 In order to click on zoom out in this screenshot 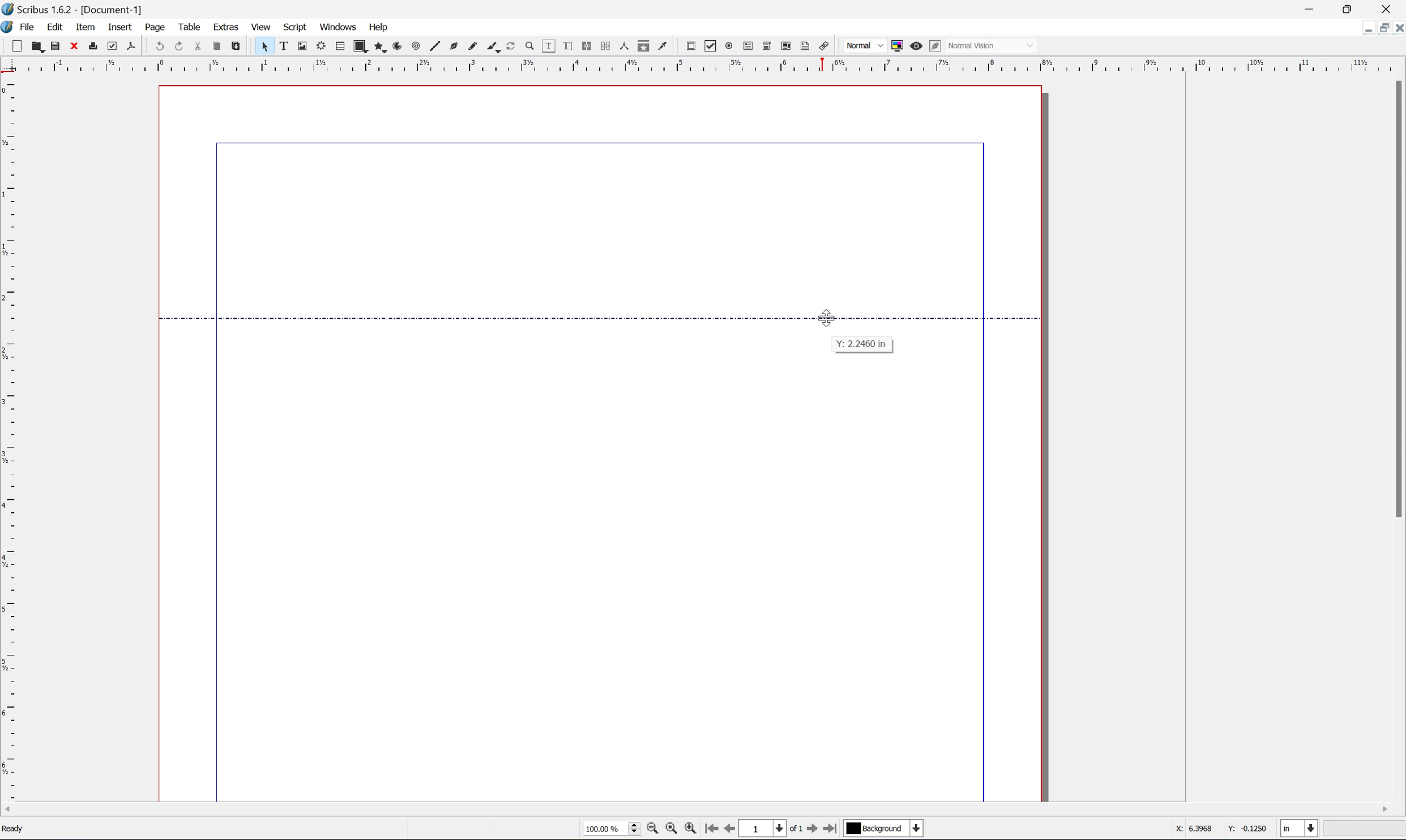, I will do `click(653, 830)`.